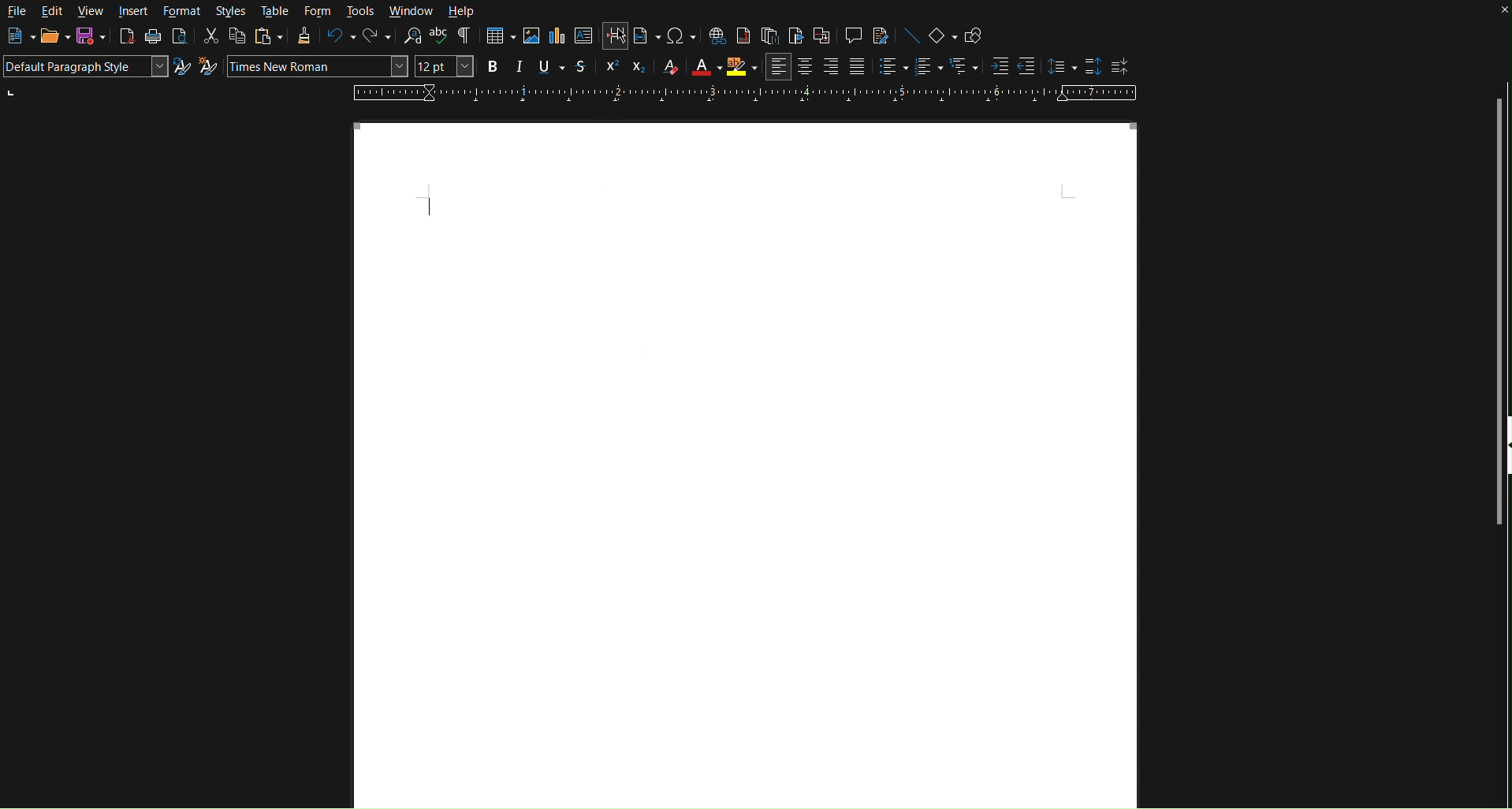 The image size is (1512, 809). I want to click on Toggle unordered list, so click(888, 67).